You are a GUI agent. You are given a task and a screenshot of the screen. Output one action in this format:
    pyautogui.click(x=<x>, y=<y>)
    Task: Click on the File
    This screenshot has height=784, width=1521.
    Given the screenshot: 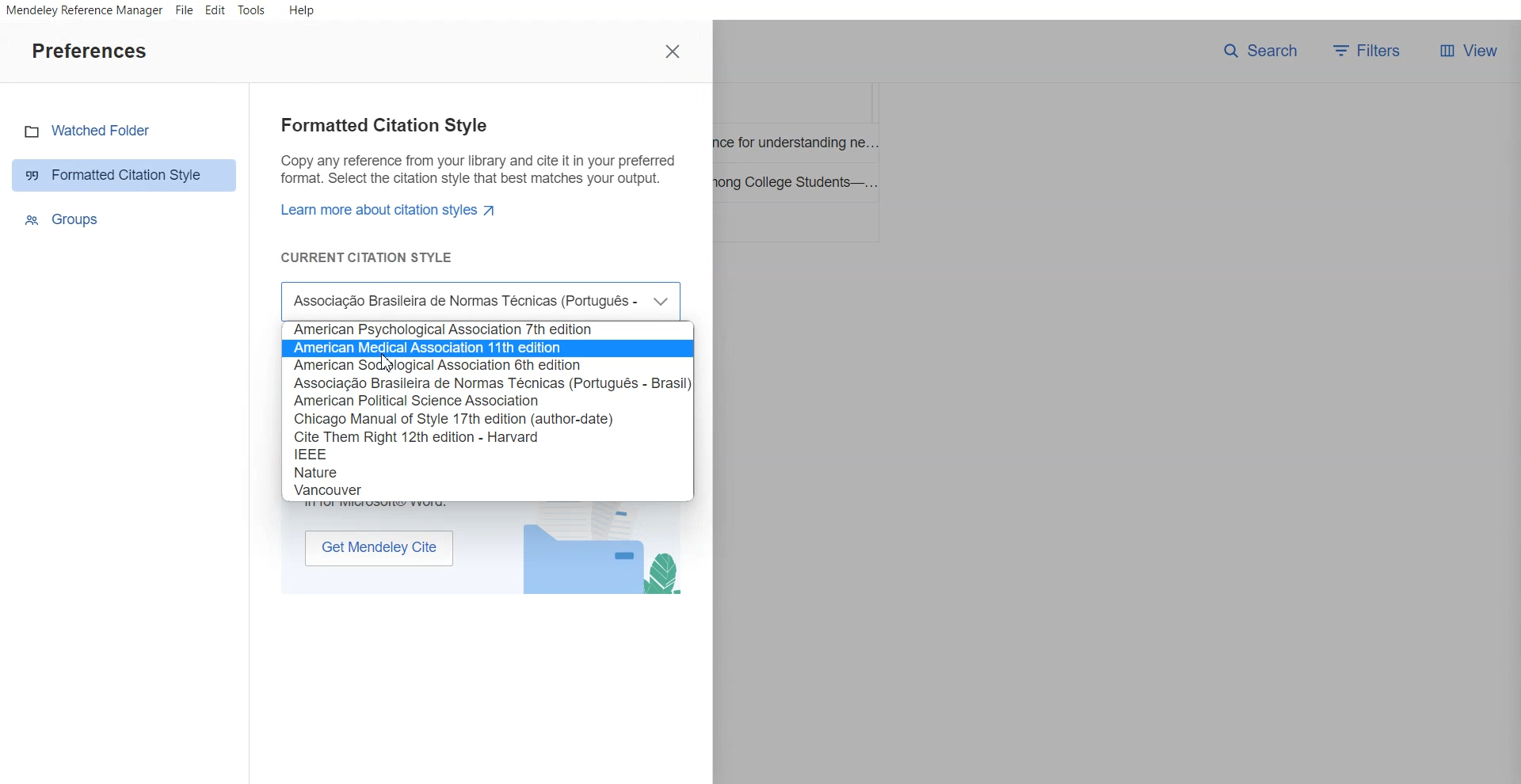 What is the action you would take?
    pyautogui.click(x=185, y=10)
    